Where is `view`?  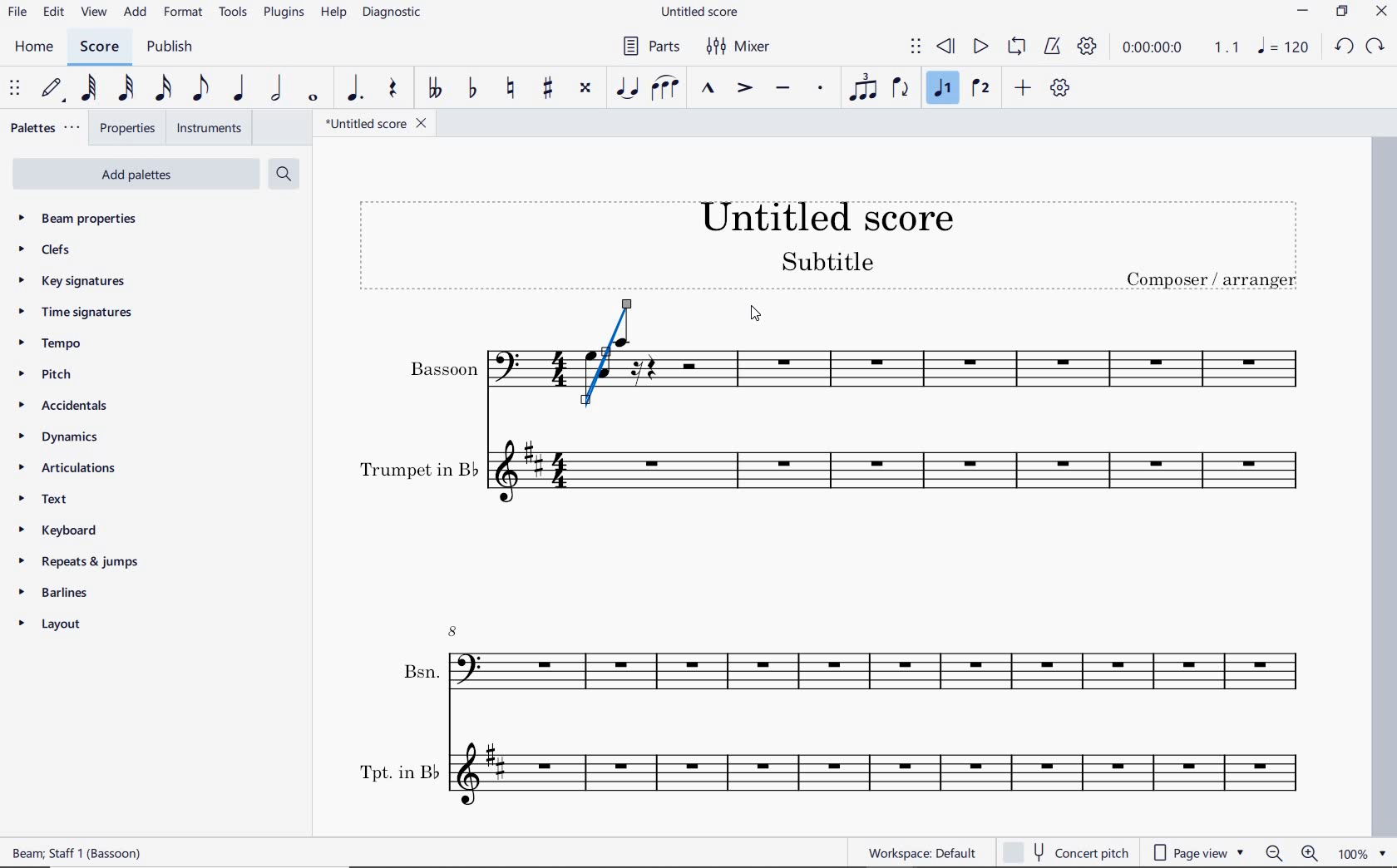
view is located at coordinates (93, 13).